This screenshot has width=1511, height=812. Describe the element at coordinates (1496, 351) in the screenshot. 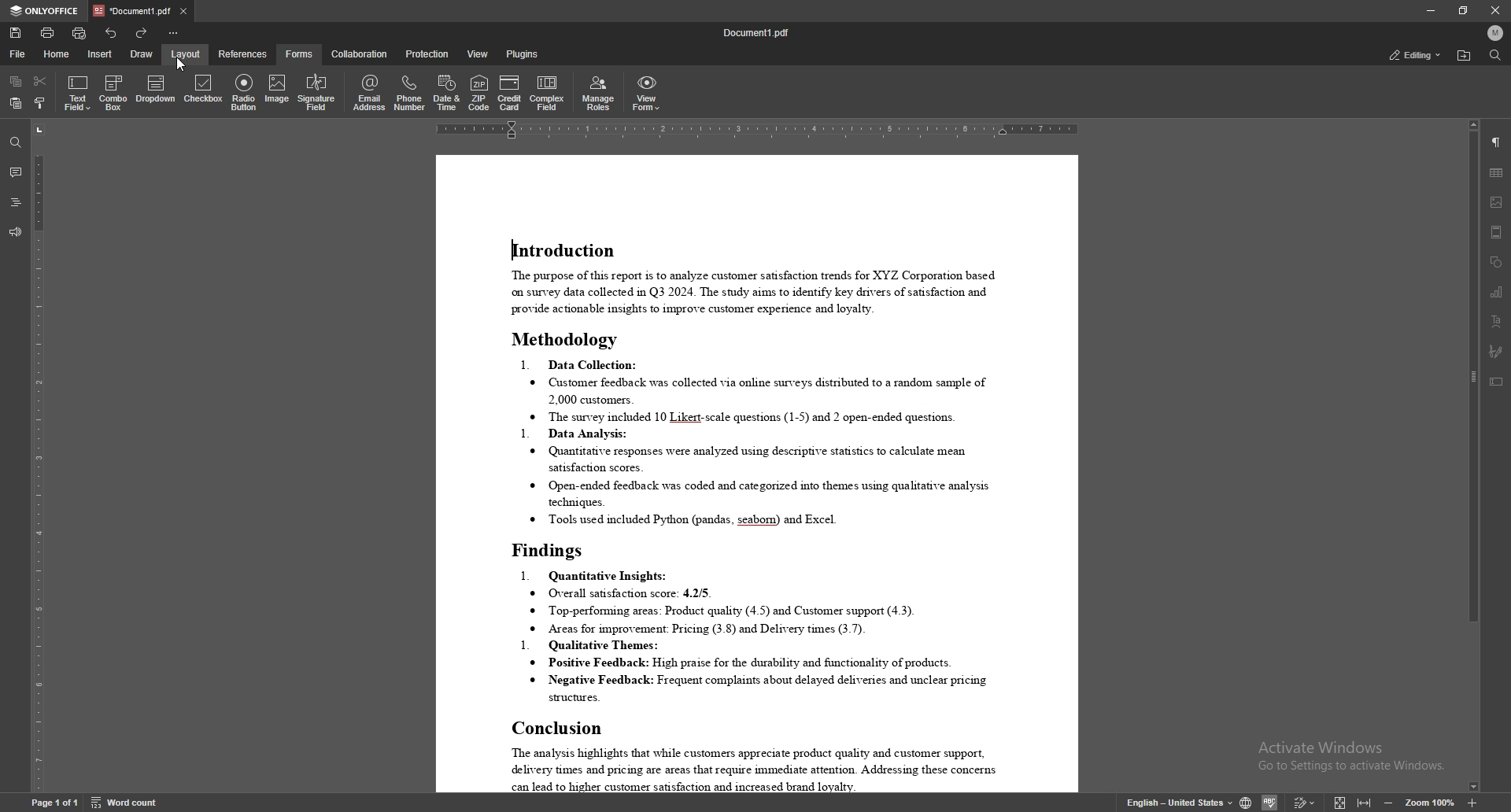

I see `signature field` at that location.